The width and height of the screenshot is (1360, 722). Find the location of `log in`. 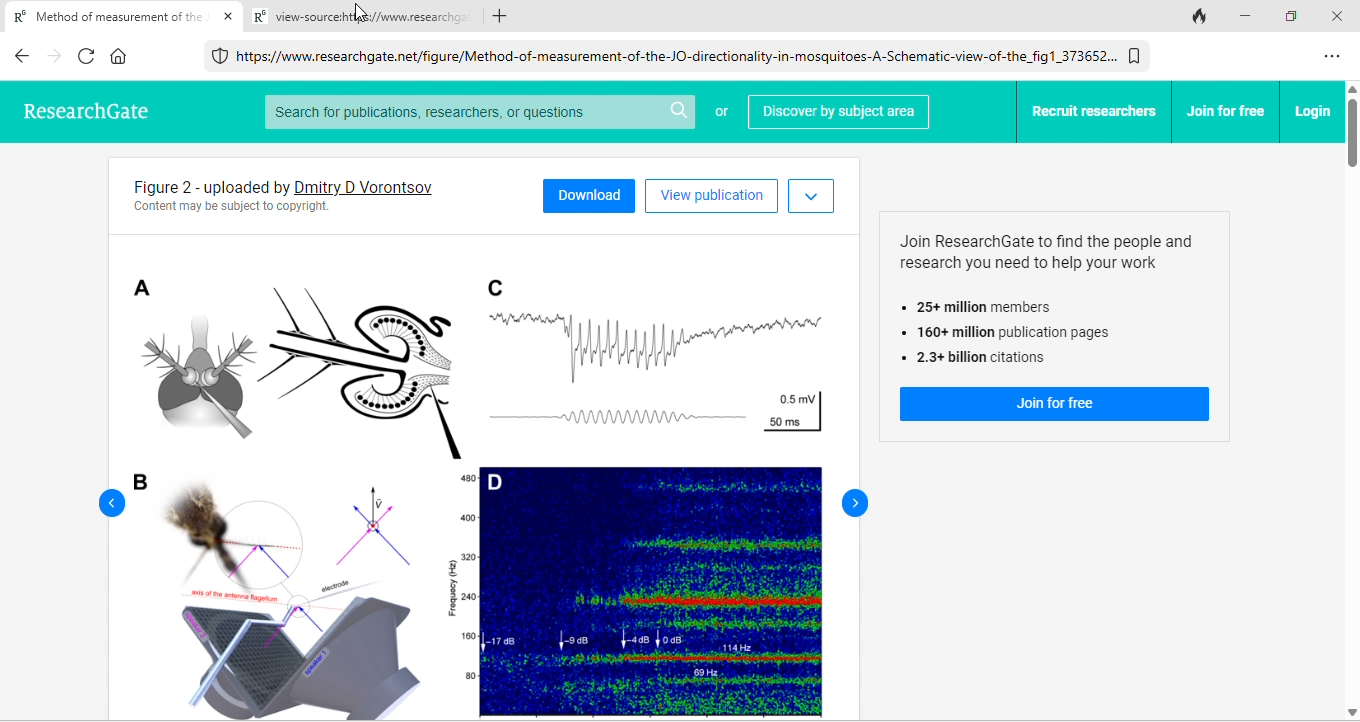

log in is located at coordinates (1309, 112).